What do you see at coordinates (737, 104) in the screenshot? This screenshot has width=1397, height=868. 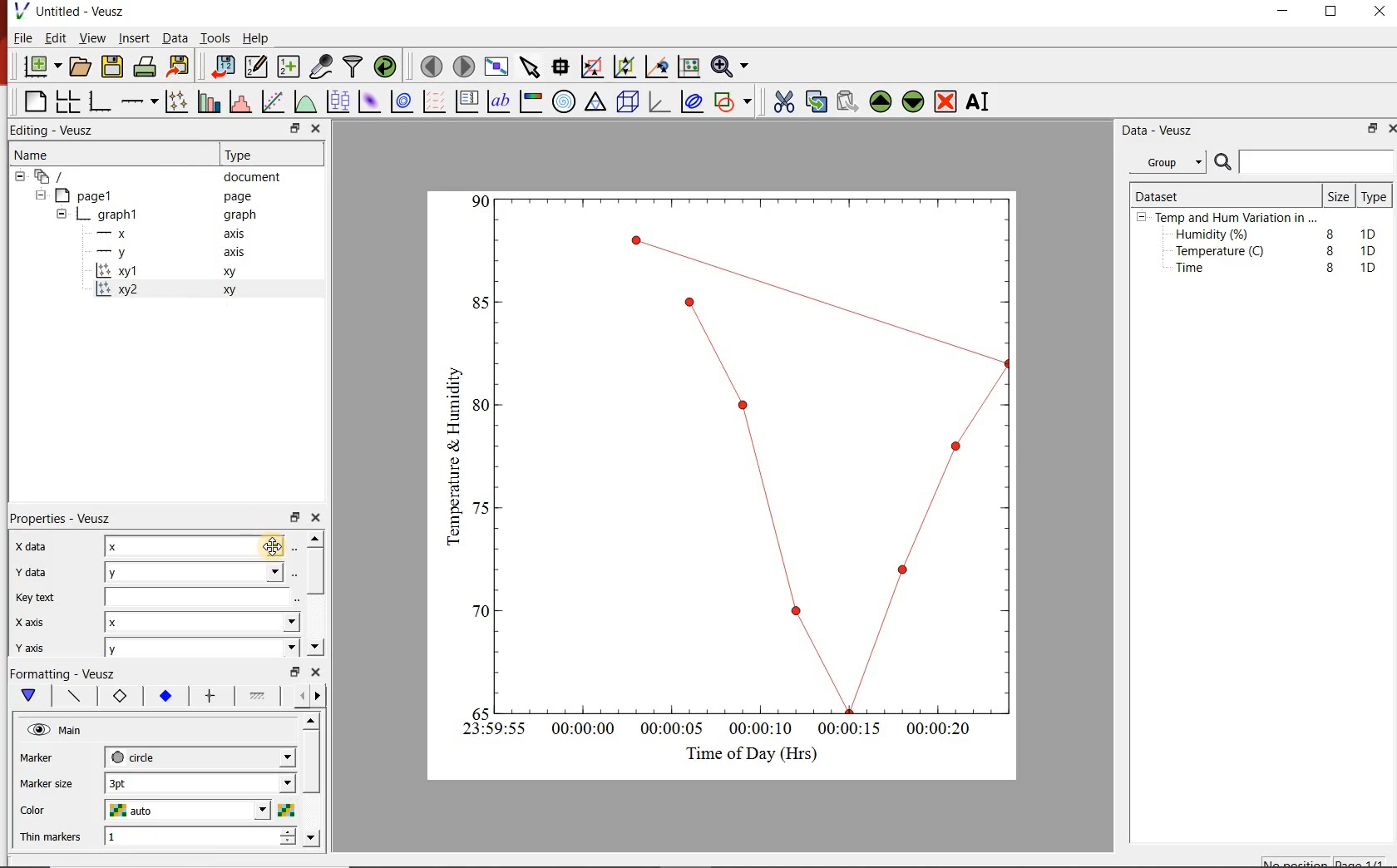 I see `add a shape to the plot` at bounding box center [737, 104].